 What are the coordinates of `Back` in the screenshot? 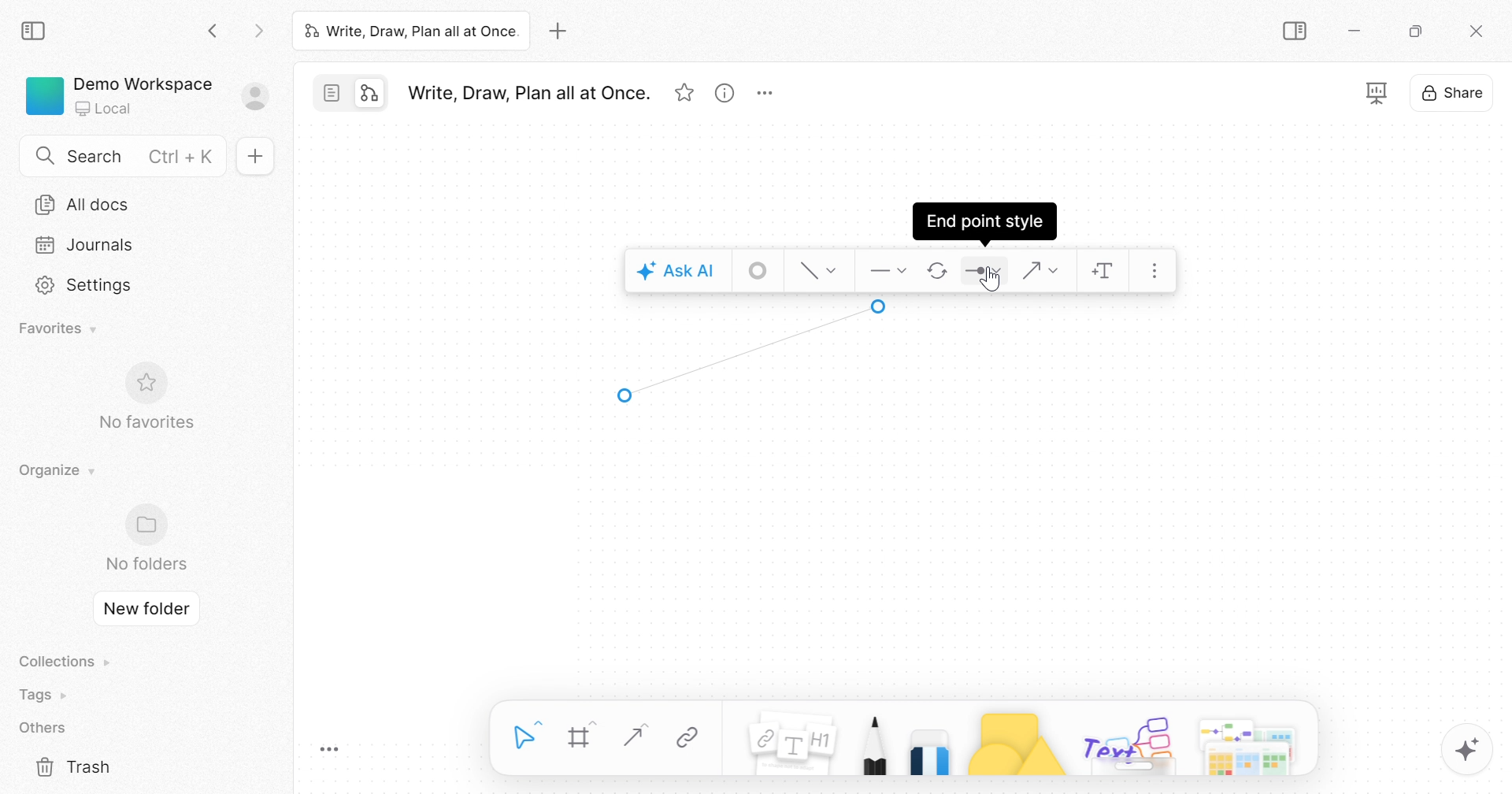 It's located at (213, 33).